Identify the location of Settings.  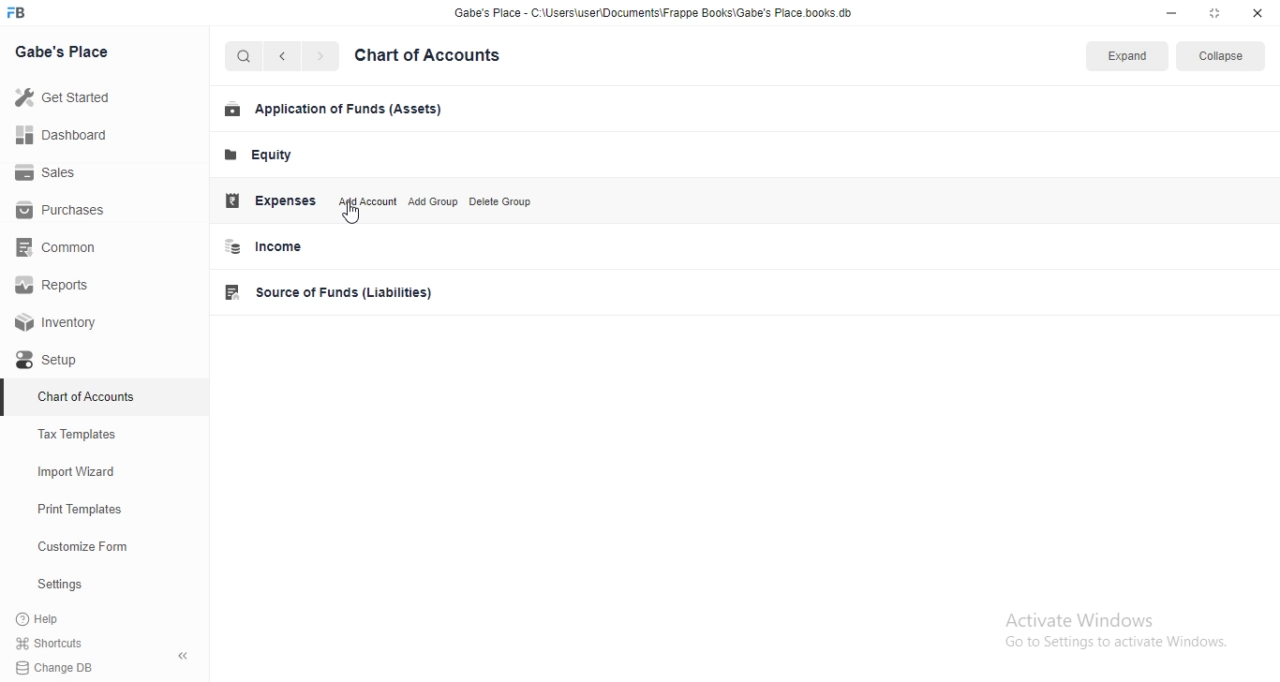
(63, 584).